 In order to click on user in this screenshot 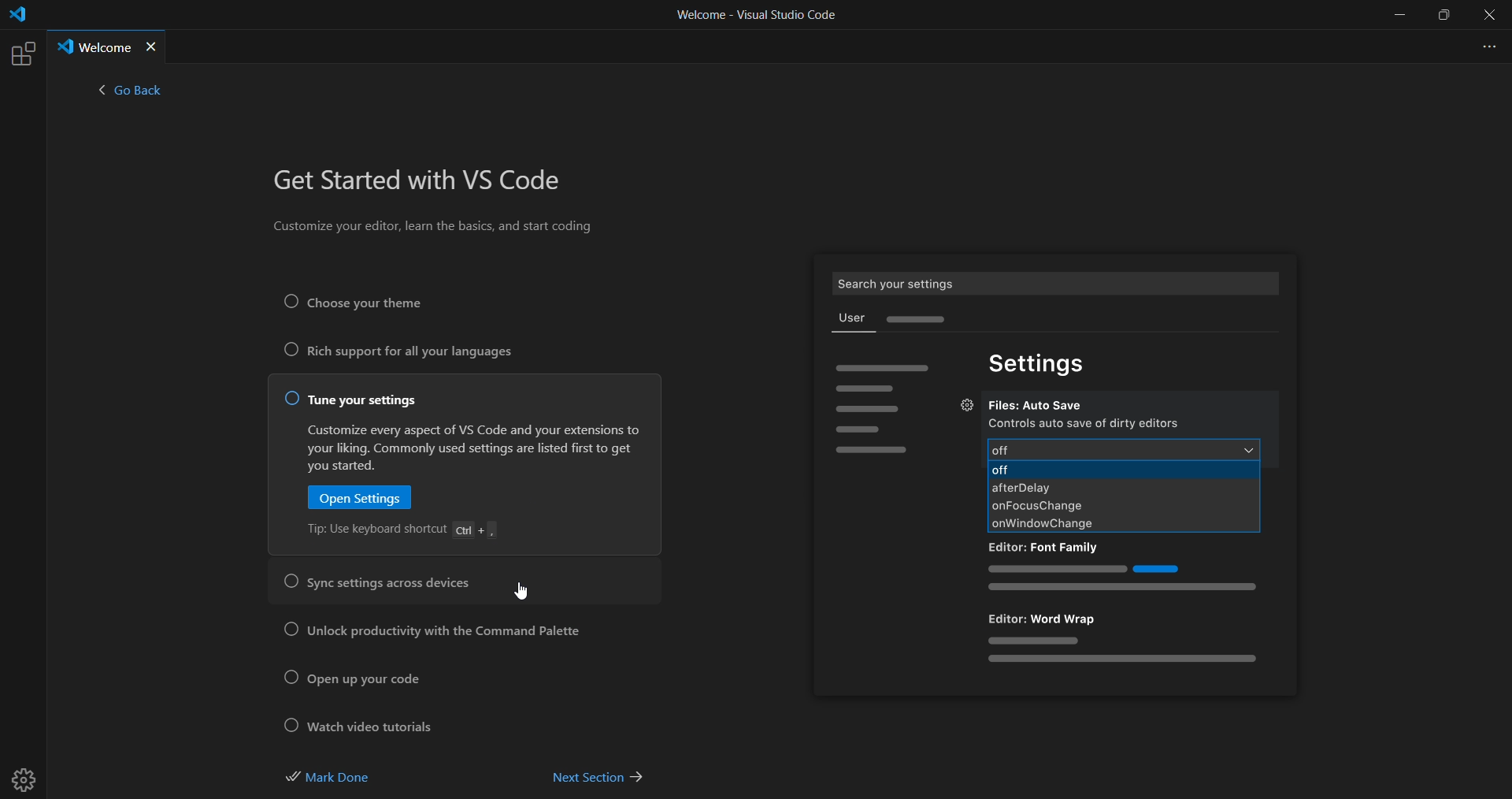, I will do `click(853, 321)`.